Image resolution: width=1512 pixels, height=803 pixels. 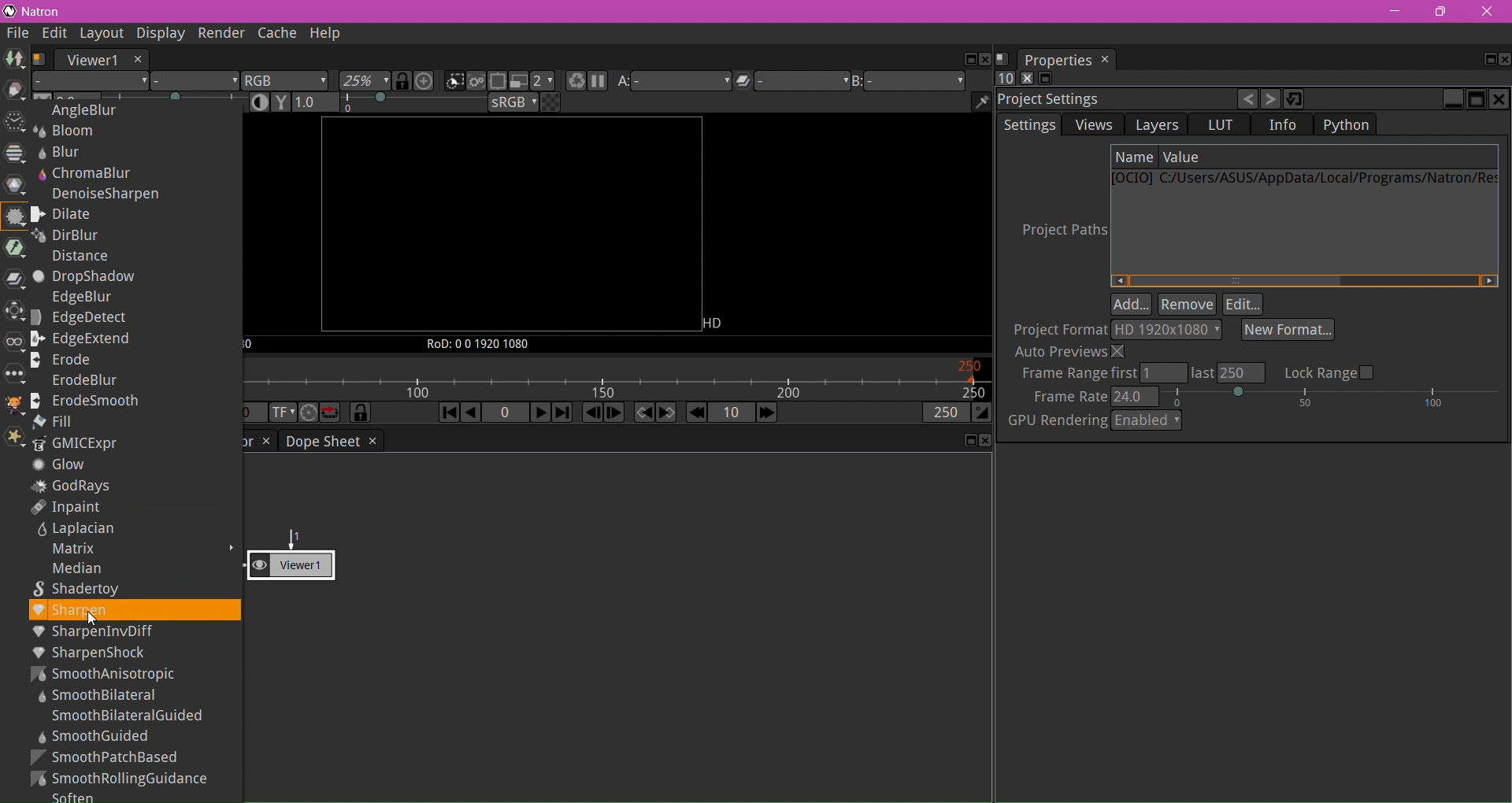 I want to click on Region of Definition of the displayed image, so click(x=486, y=344).